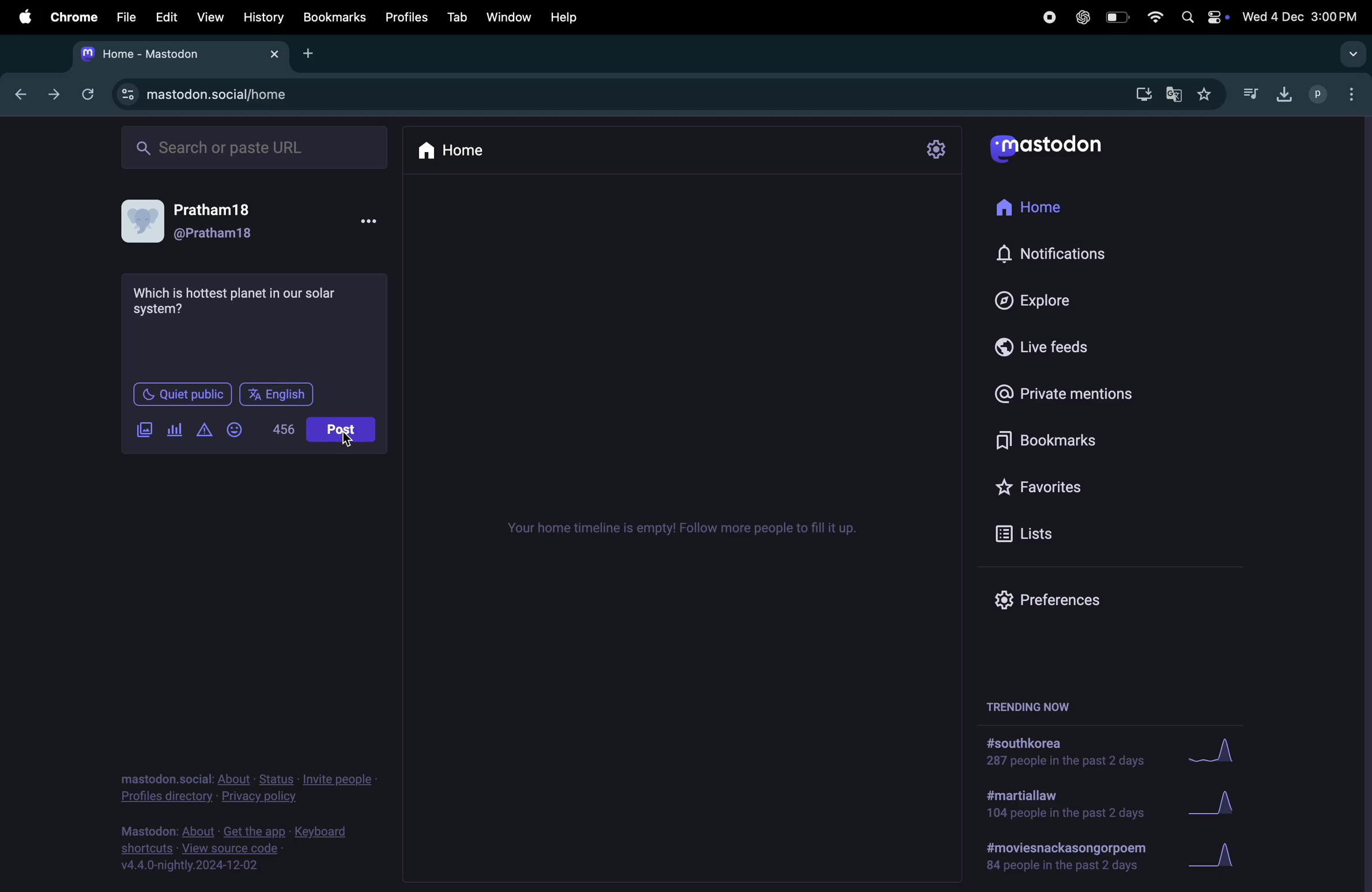  What do you see at coordinates (70, 19) in the screenshot?
I see `chrome` at bounding box center [70, 19].